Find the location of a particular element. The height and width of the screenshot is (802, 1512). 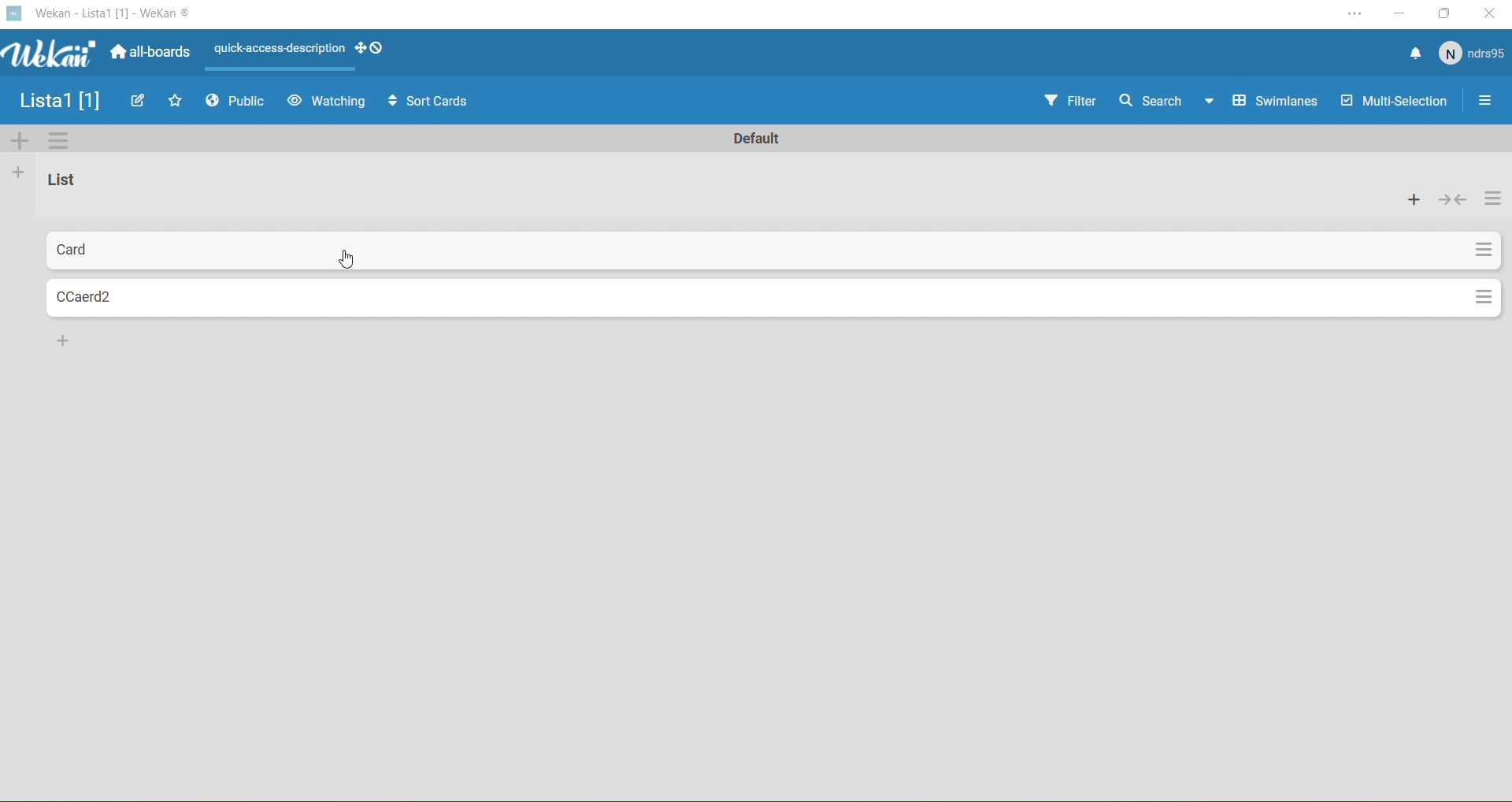

cursor is located at coordinates (347, 260).